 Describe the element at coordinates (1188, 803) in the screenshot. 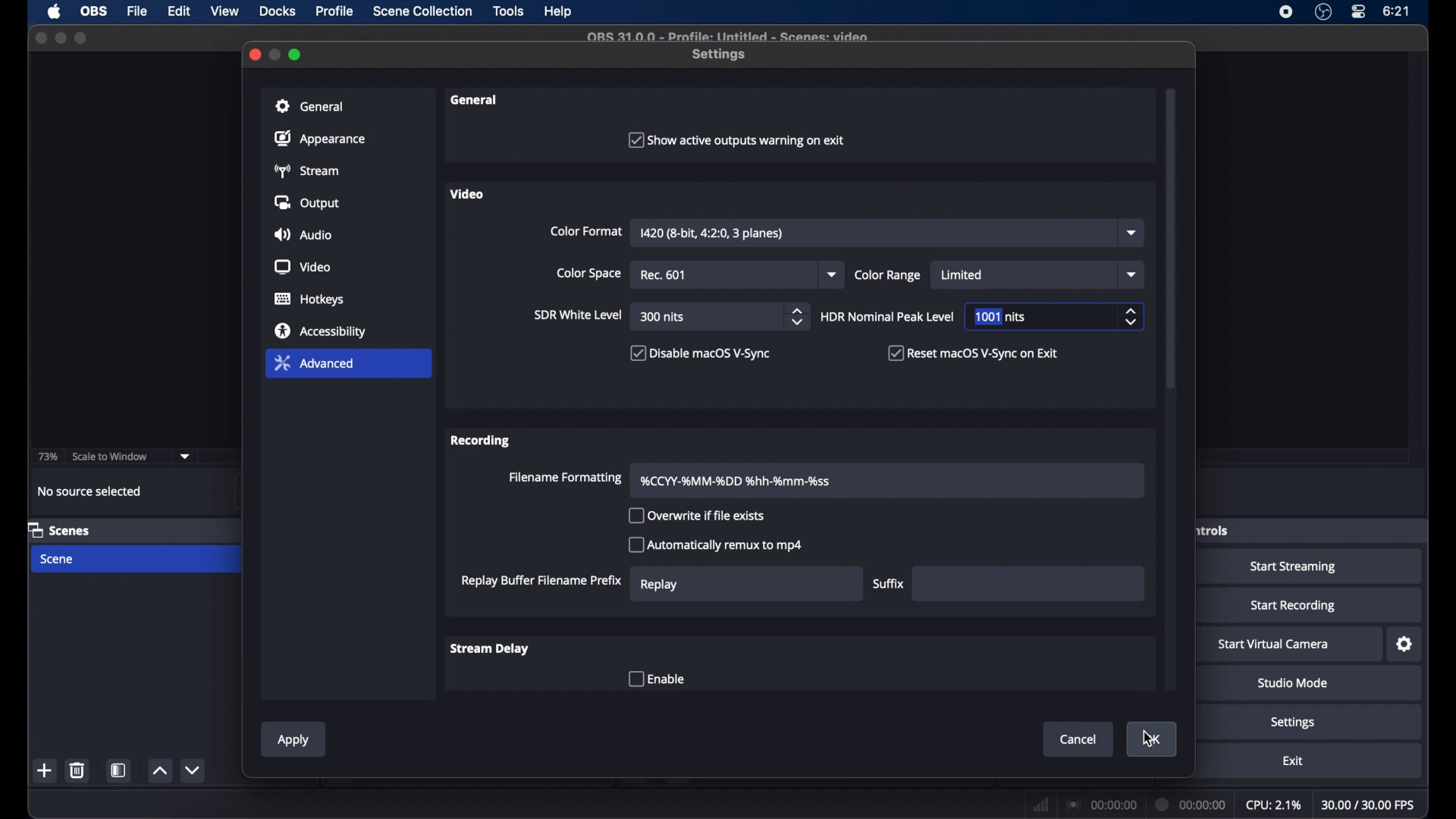

I see `duration` at that location.